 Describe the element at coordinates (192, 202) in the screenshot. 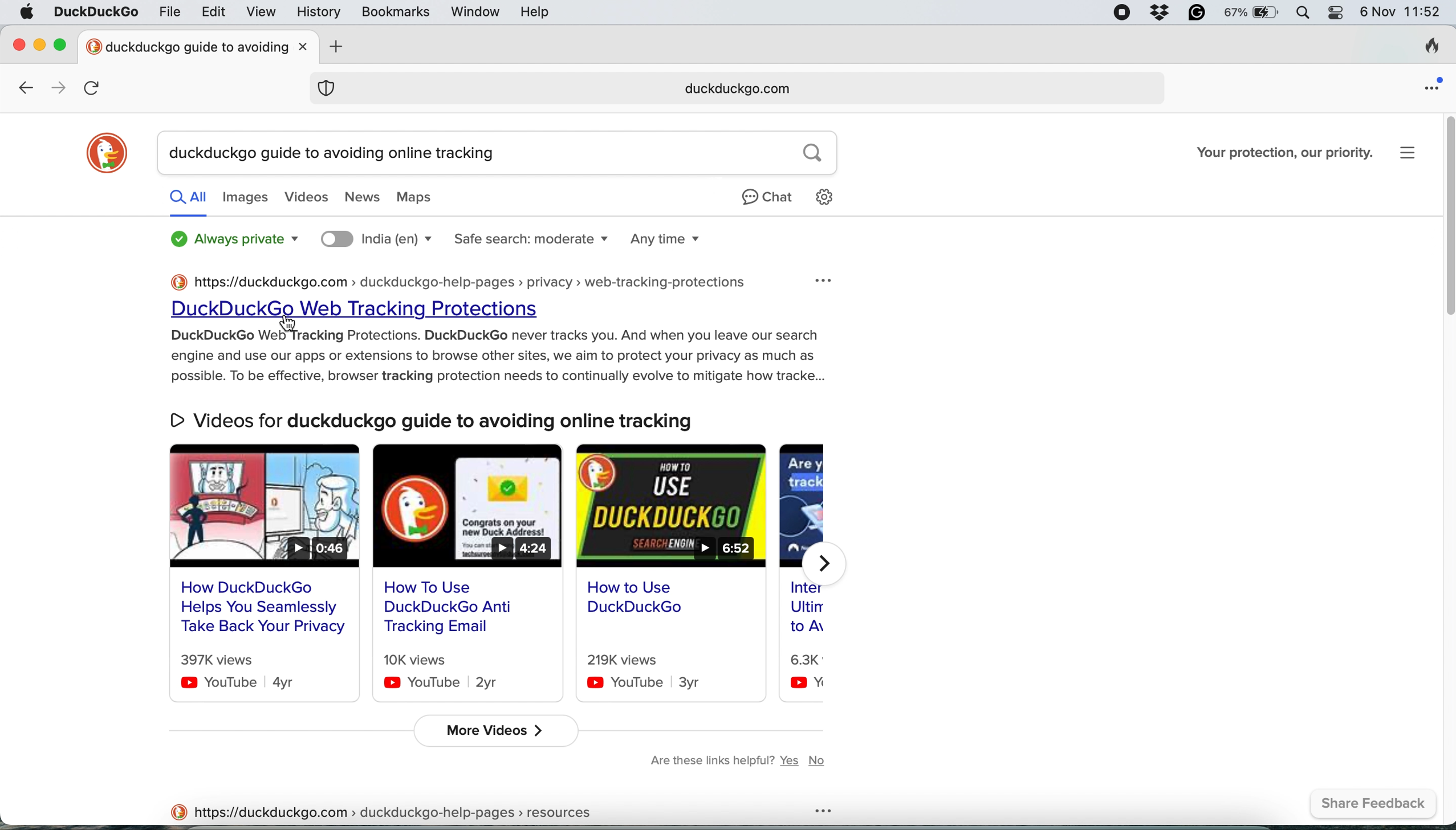

I see `all` at that location.